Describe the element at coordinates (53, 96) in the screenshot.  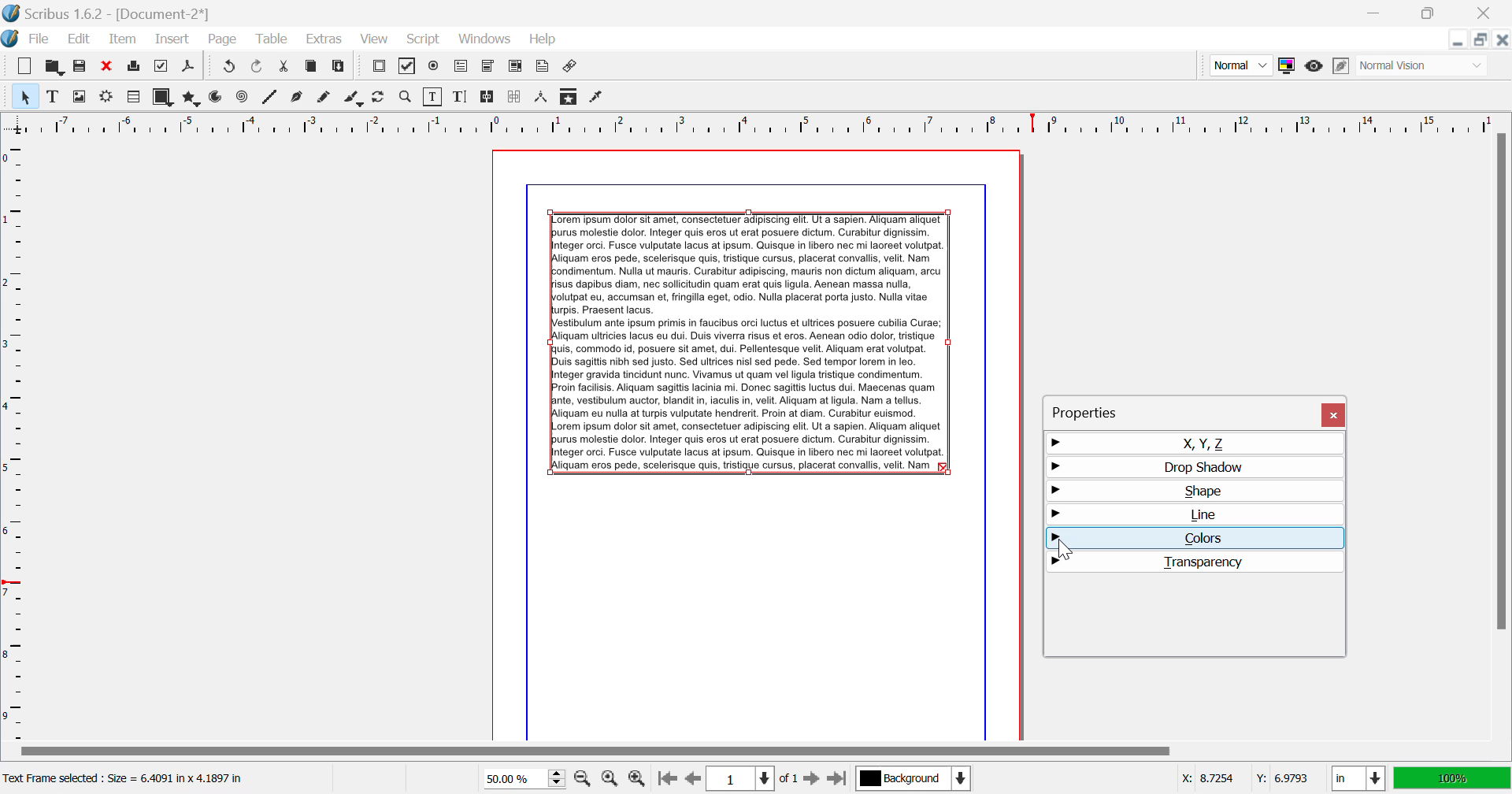
I see `Text Frame` at that location.